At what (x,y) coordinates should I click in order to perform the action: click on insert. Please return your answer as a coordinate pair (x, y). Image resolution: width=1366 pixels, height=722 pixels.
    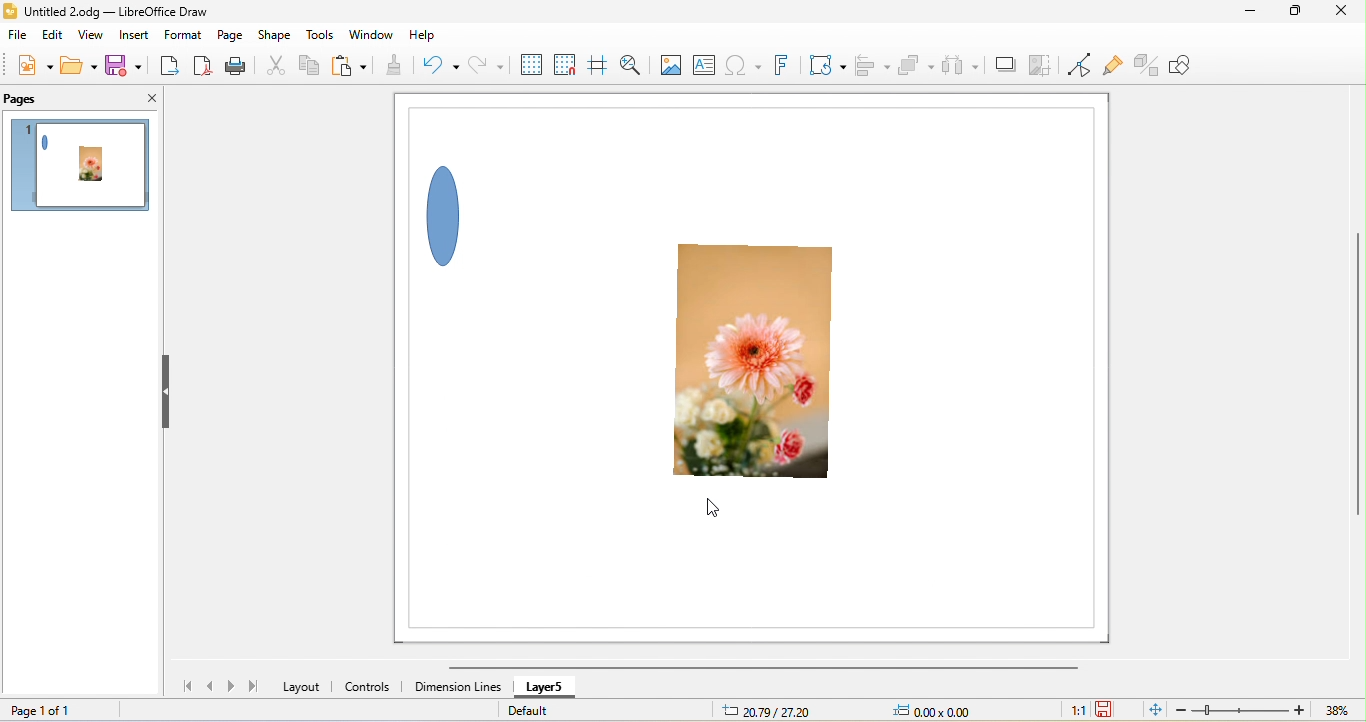
    Looking at the image, I should click on (133, 34).